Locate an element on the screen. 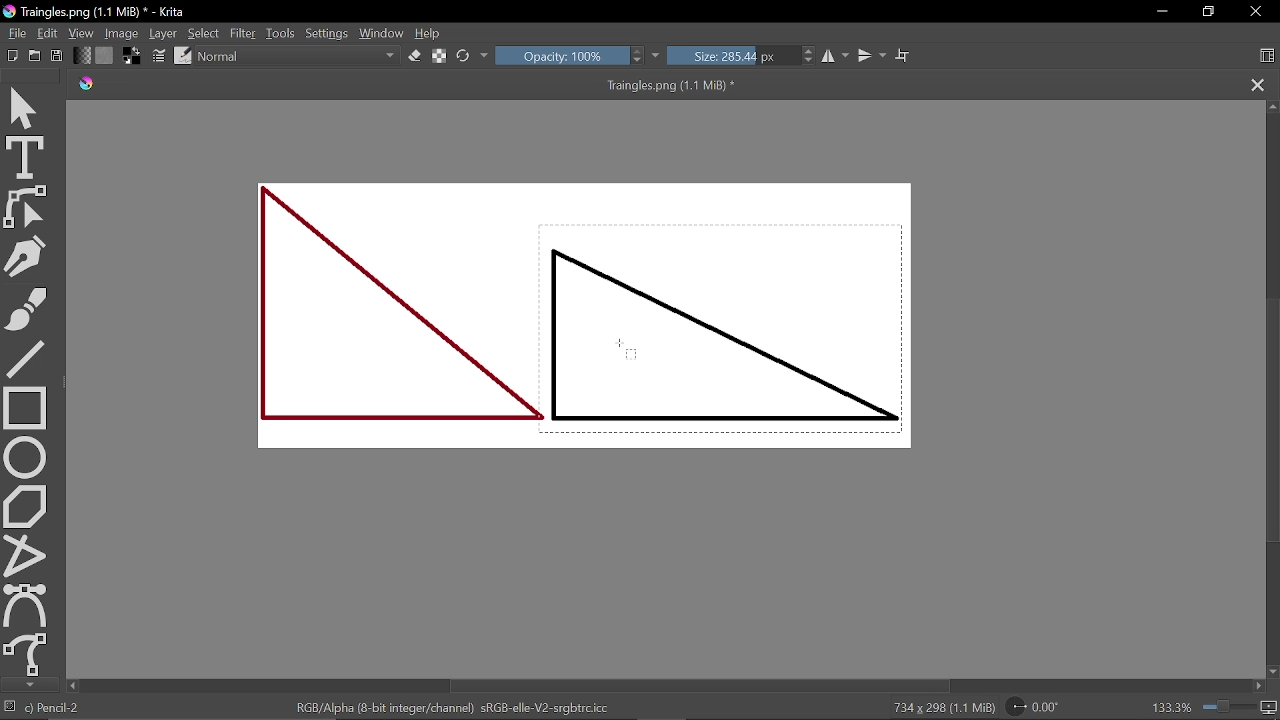 This screenshot has width=1280, height=720. Text tool is located at coordinates (26, 157).